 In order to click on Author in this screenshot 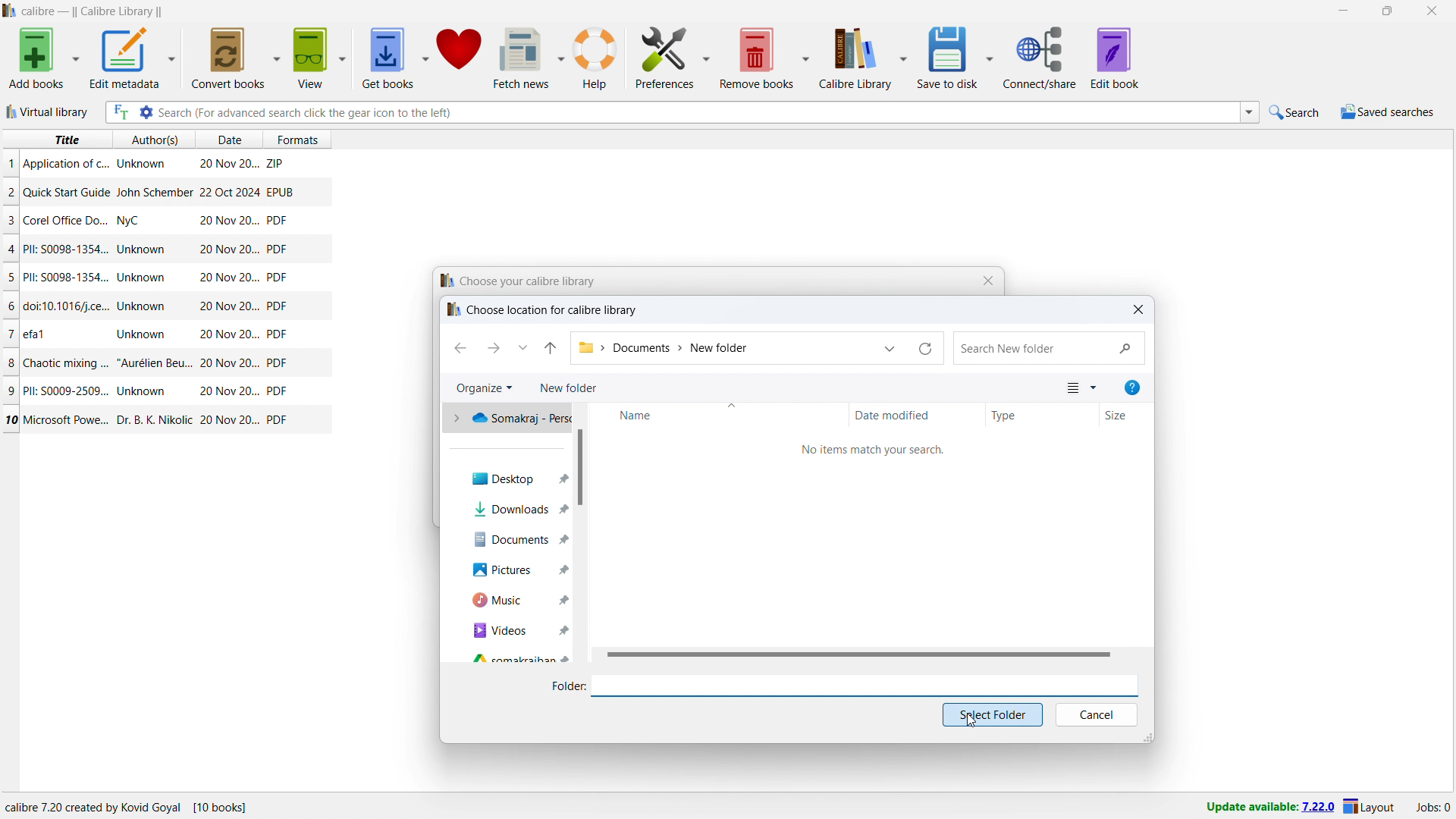, I will do `click(143, 250)`.